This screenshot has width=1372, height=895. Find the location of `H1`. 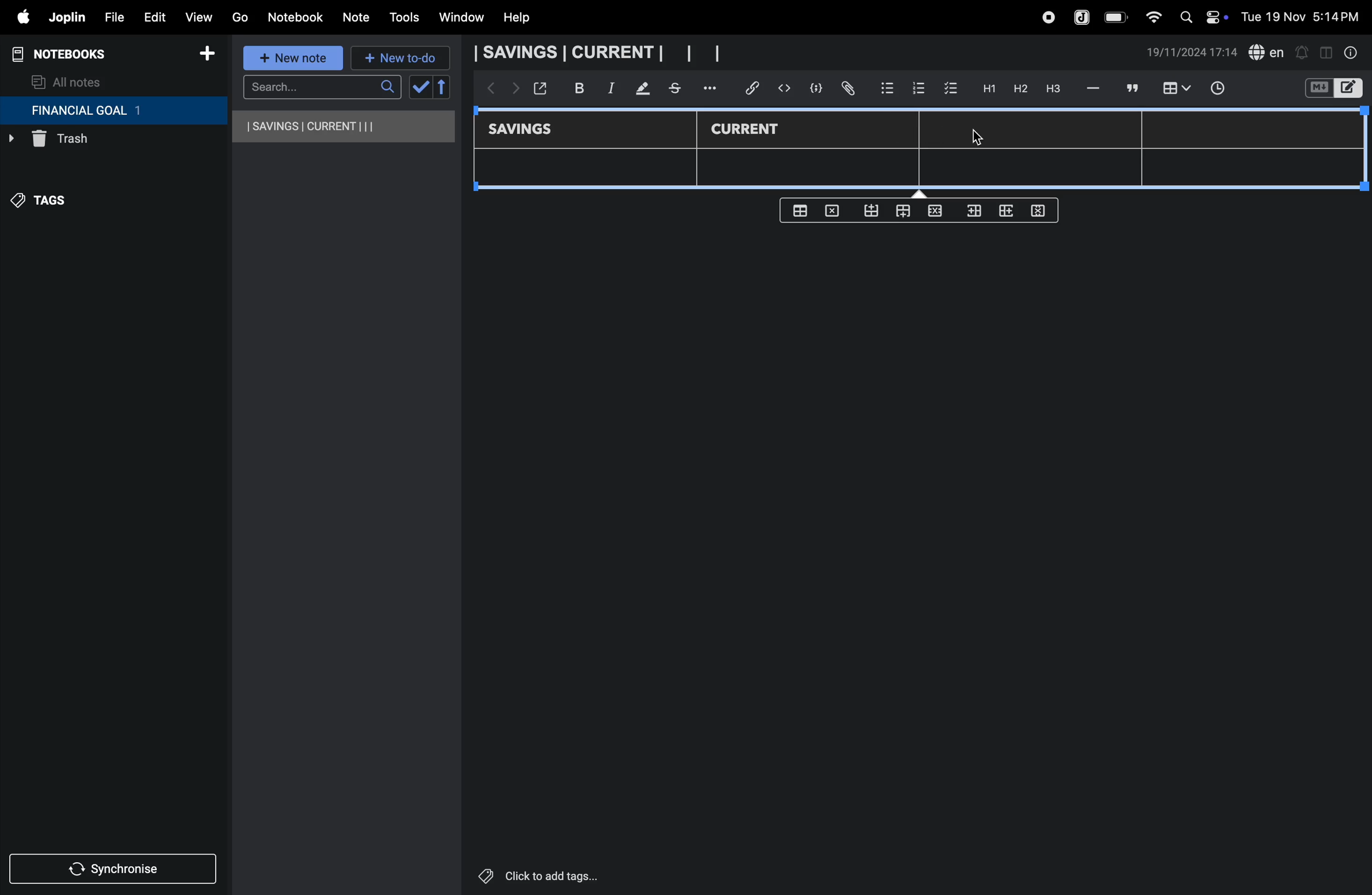

H1 is located at coordinates (987, 89).